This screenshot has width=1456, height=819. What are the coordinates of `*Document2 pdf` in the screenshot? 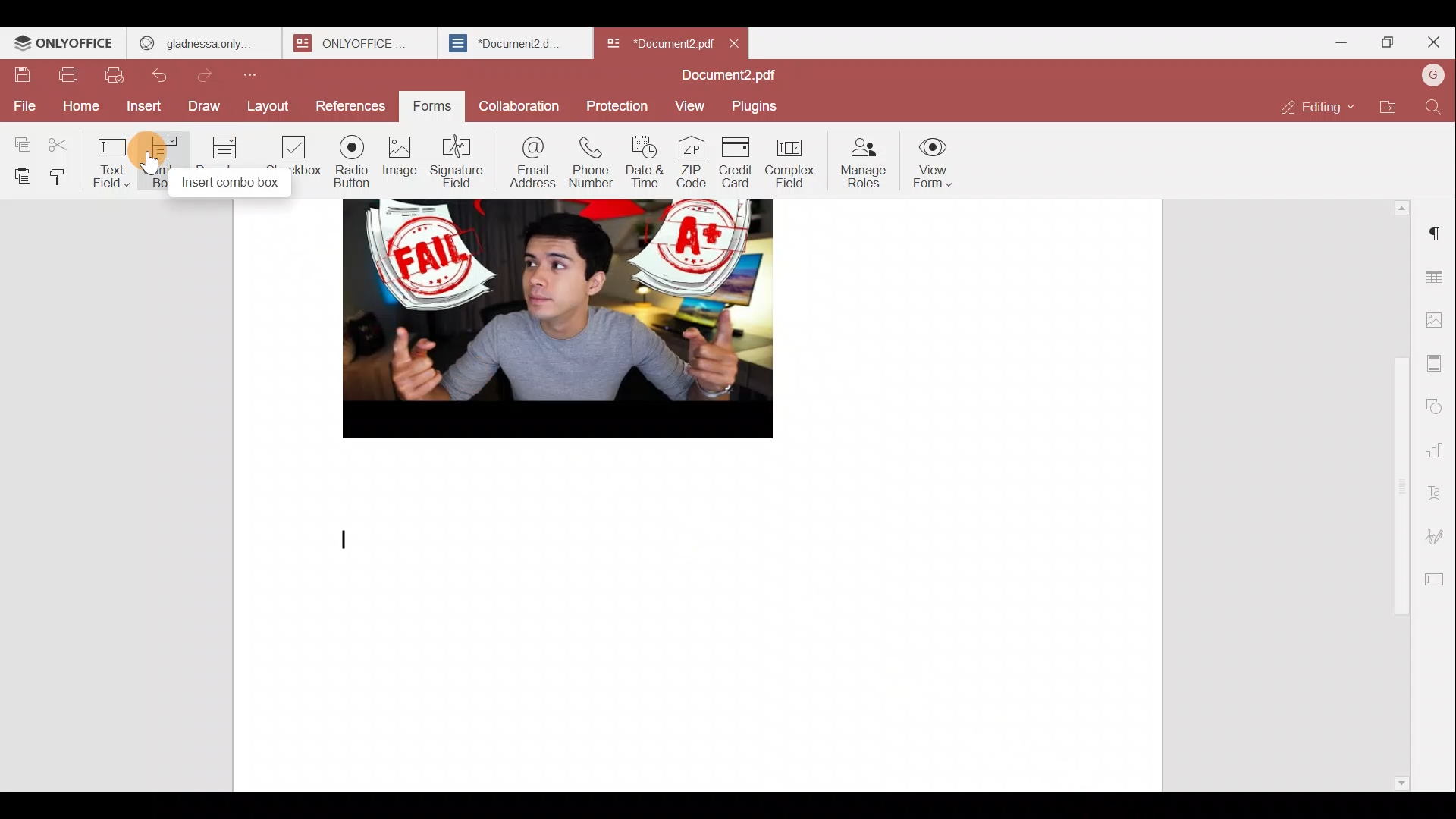 It's located at (658, 42).